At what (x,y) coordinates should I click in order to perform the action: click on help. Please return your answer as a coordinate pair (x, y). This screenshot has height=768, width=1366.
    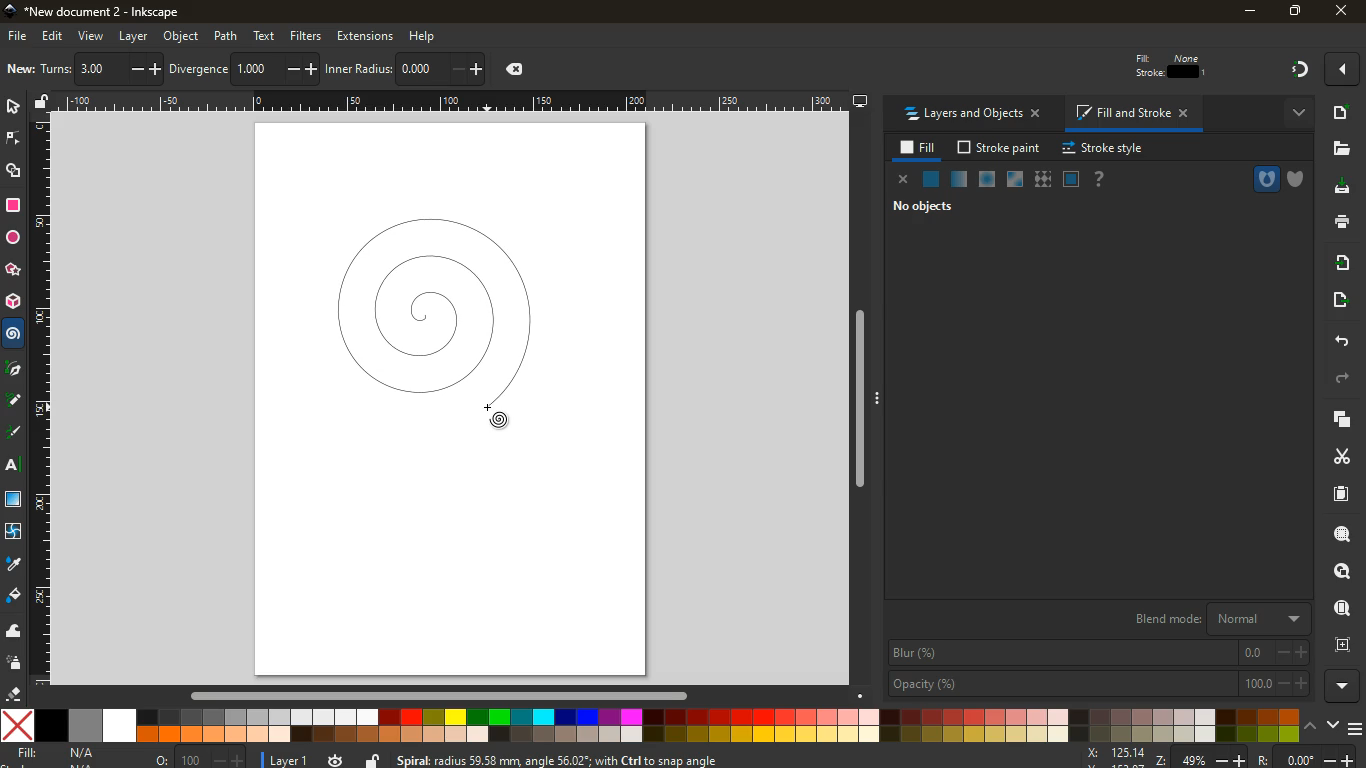
    Looking at the image, I should click on (1101, 180).